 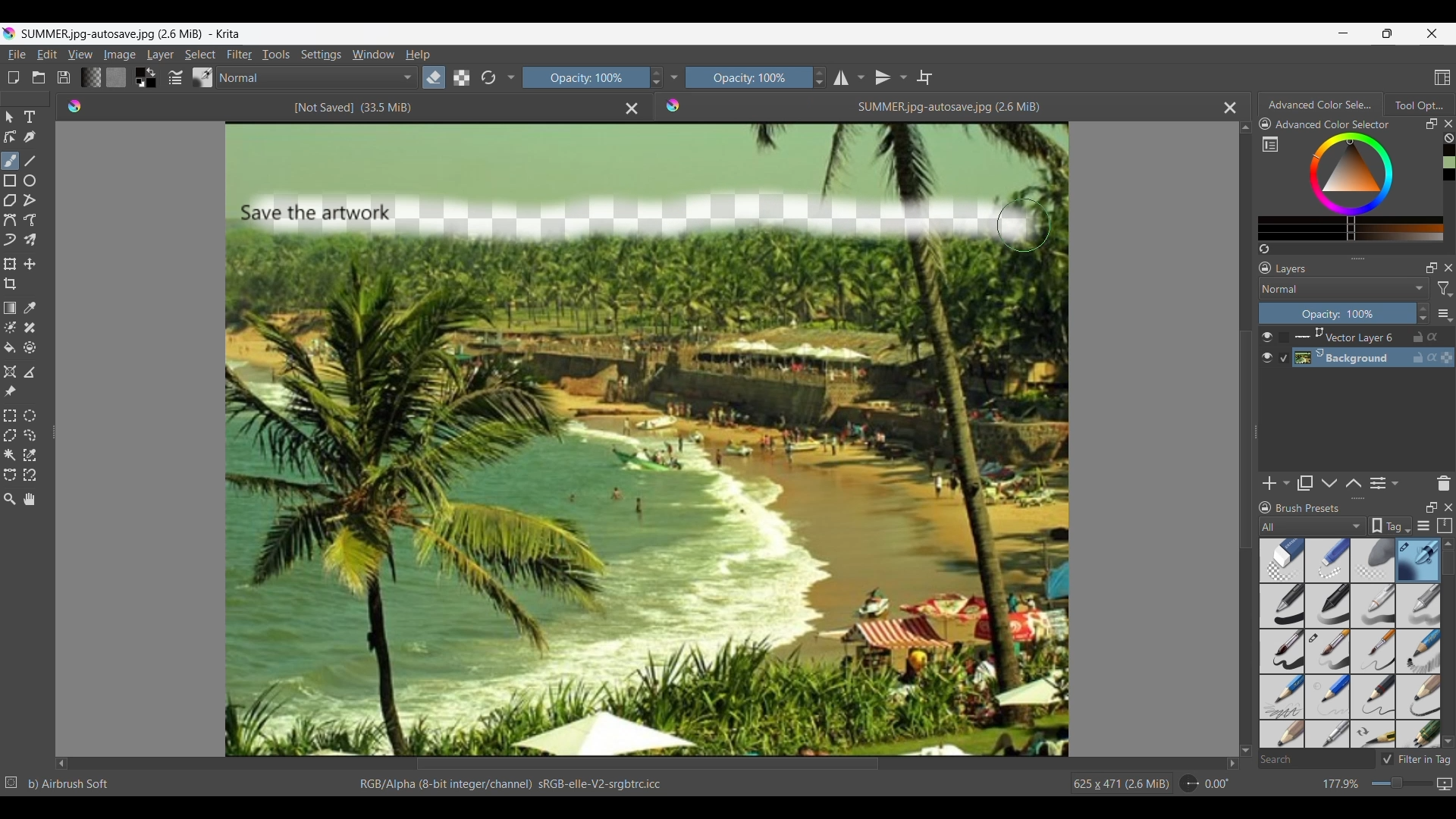 What do you see at coordinates (9, 500) in the screenshot?
I see `Zoom tool` at bounding box center [9, 500].